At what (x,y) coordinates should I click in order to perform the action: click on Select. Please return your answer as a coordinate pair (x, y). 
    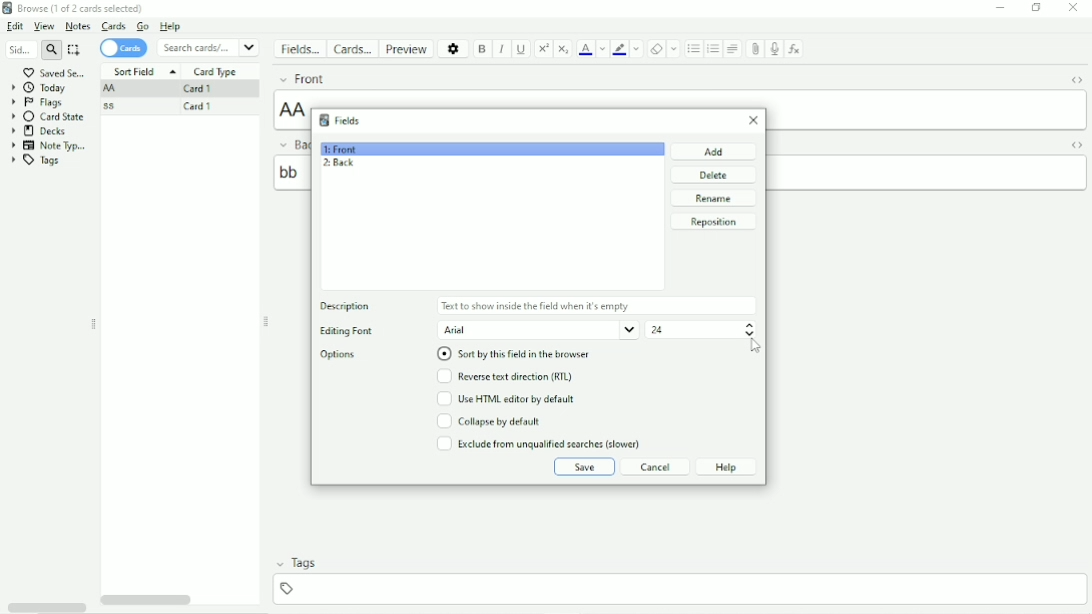
    Looking at the image, I should click on (76, 50).